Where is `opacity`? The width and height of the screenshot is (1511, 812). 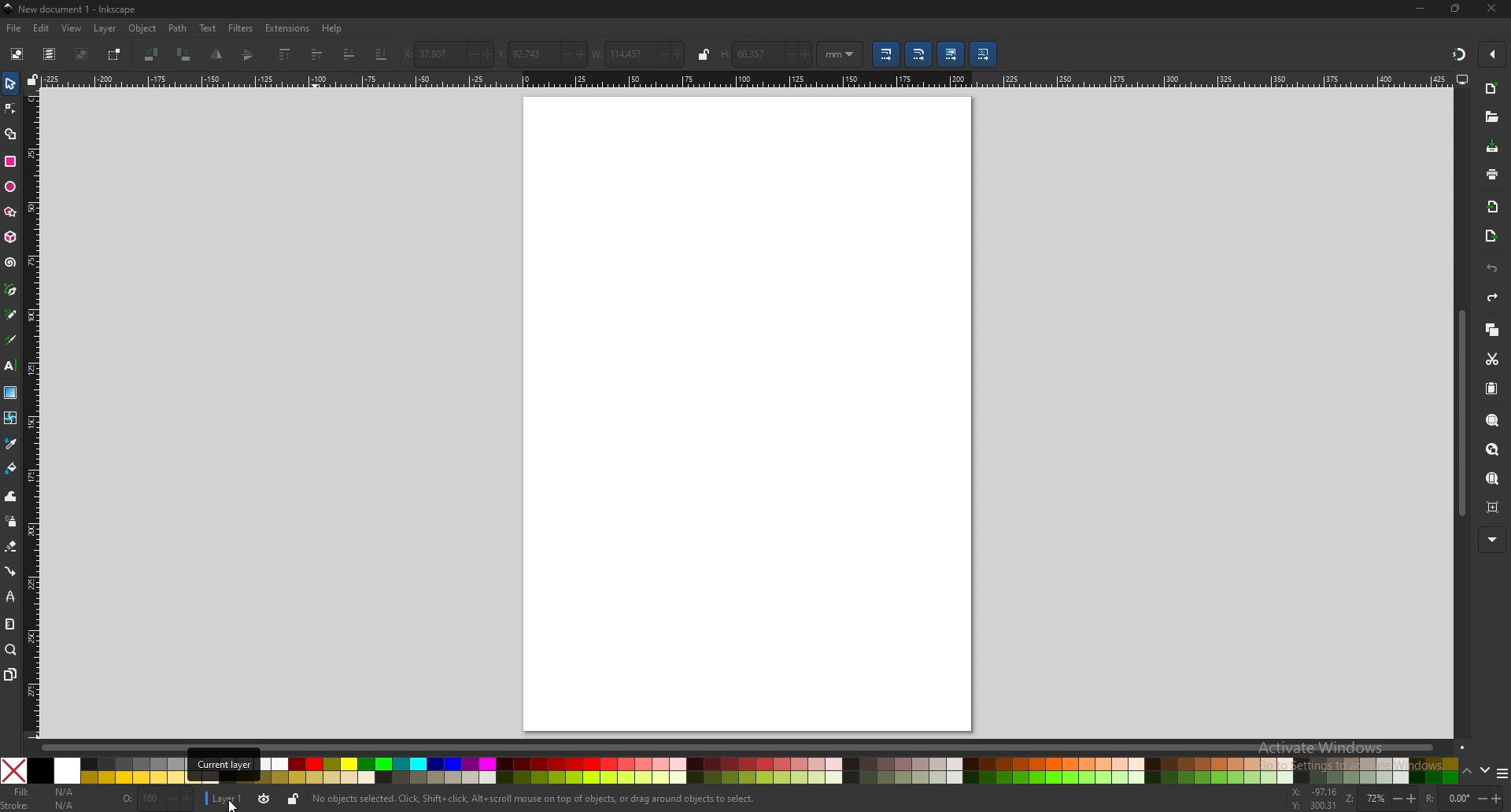
opacity is located at coordinates (157, 797).